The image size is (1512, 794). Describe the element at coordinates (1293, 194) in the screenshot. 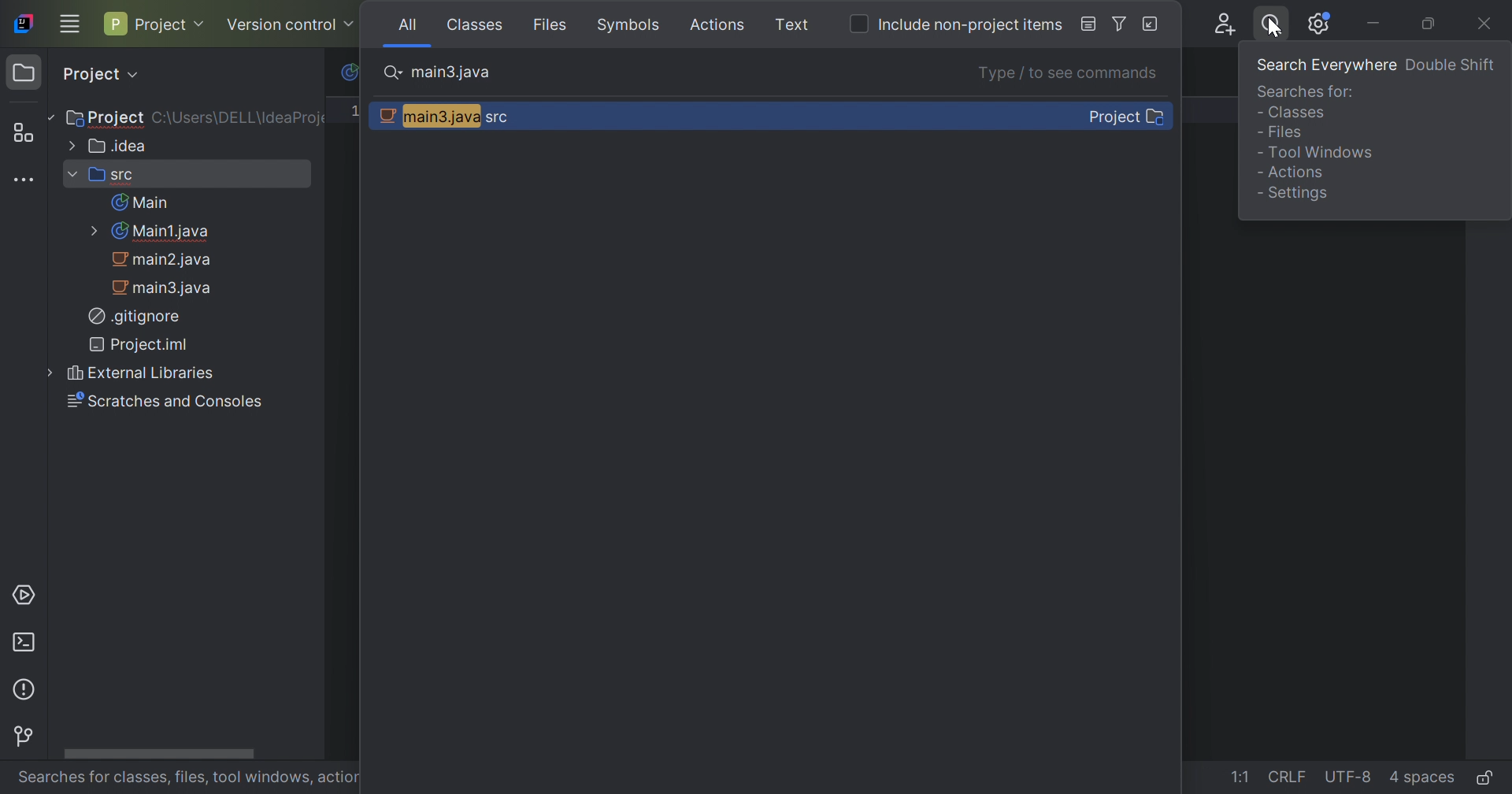

I see `- Settings` at that location.